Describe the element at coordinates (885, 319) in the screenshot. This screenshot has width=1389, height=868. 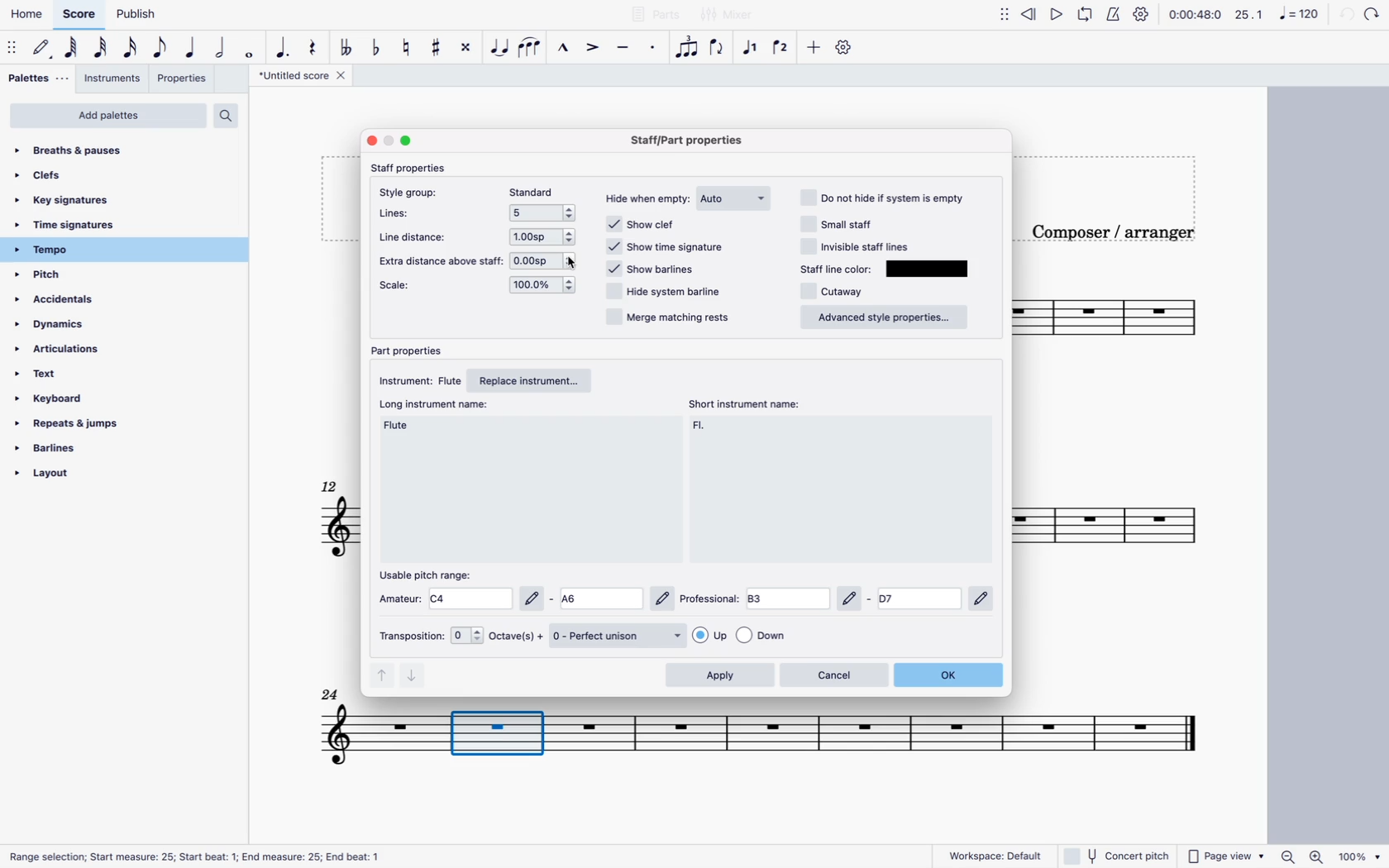
I see `advanced style properties` at that location.